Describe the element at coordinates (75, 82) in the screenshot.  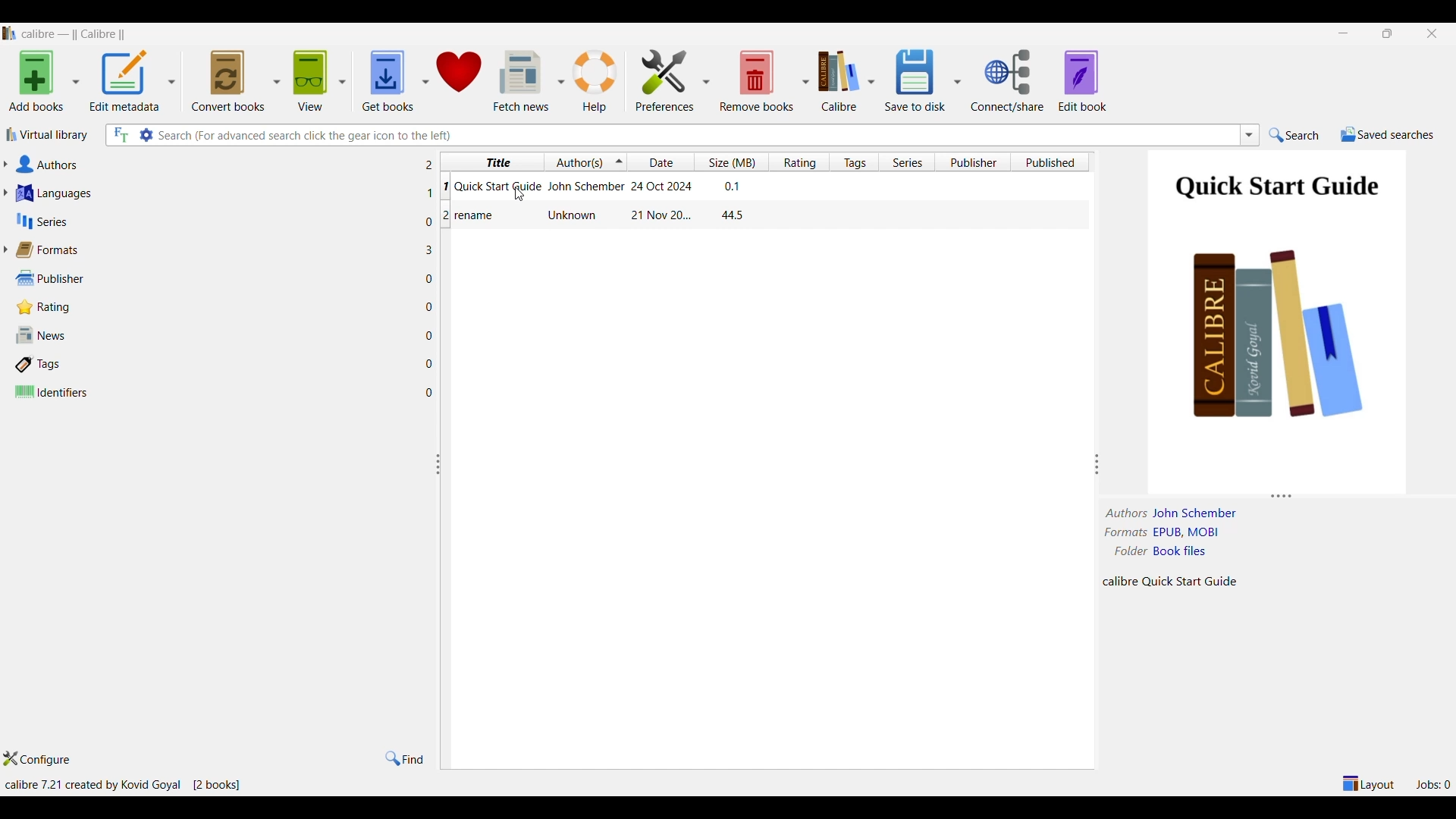
I see `Add book options` at that location.